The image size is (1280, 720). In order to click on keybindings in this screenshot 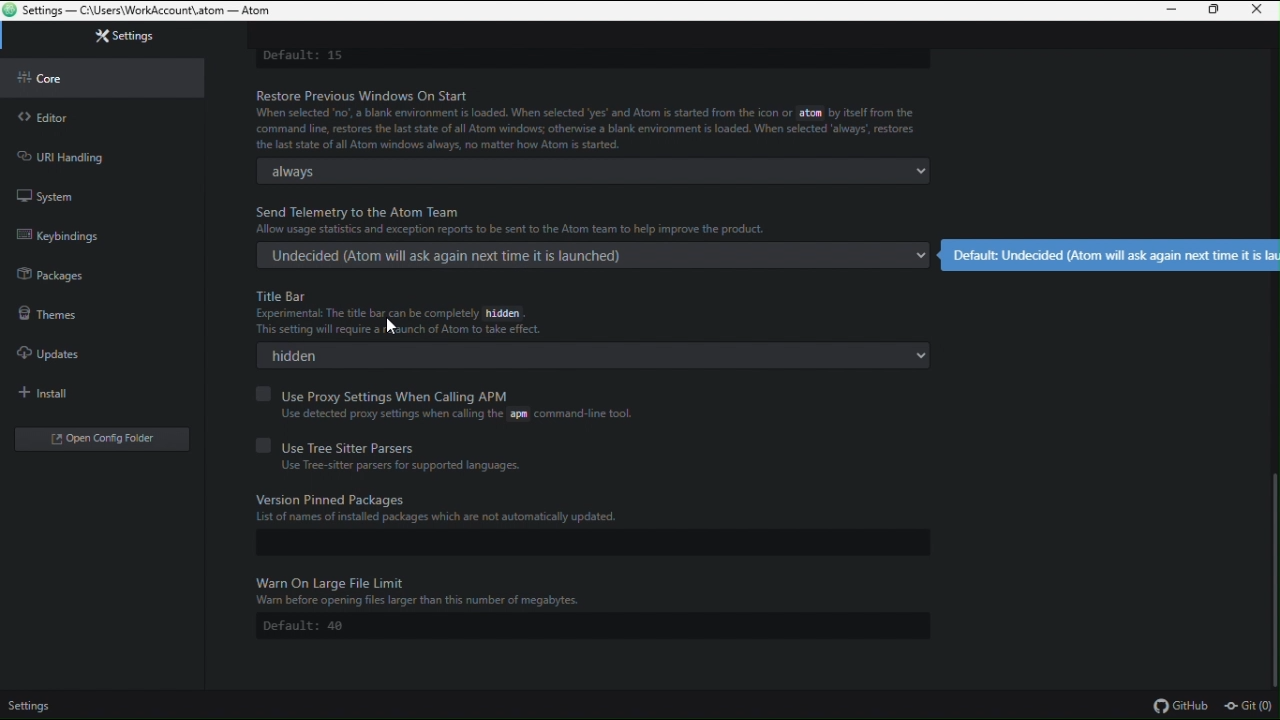, I will do `click(106, 233)`.